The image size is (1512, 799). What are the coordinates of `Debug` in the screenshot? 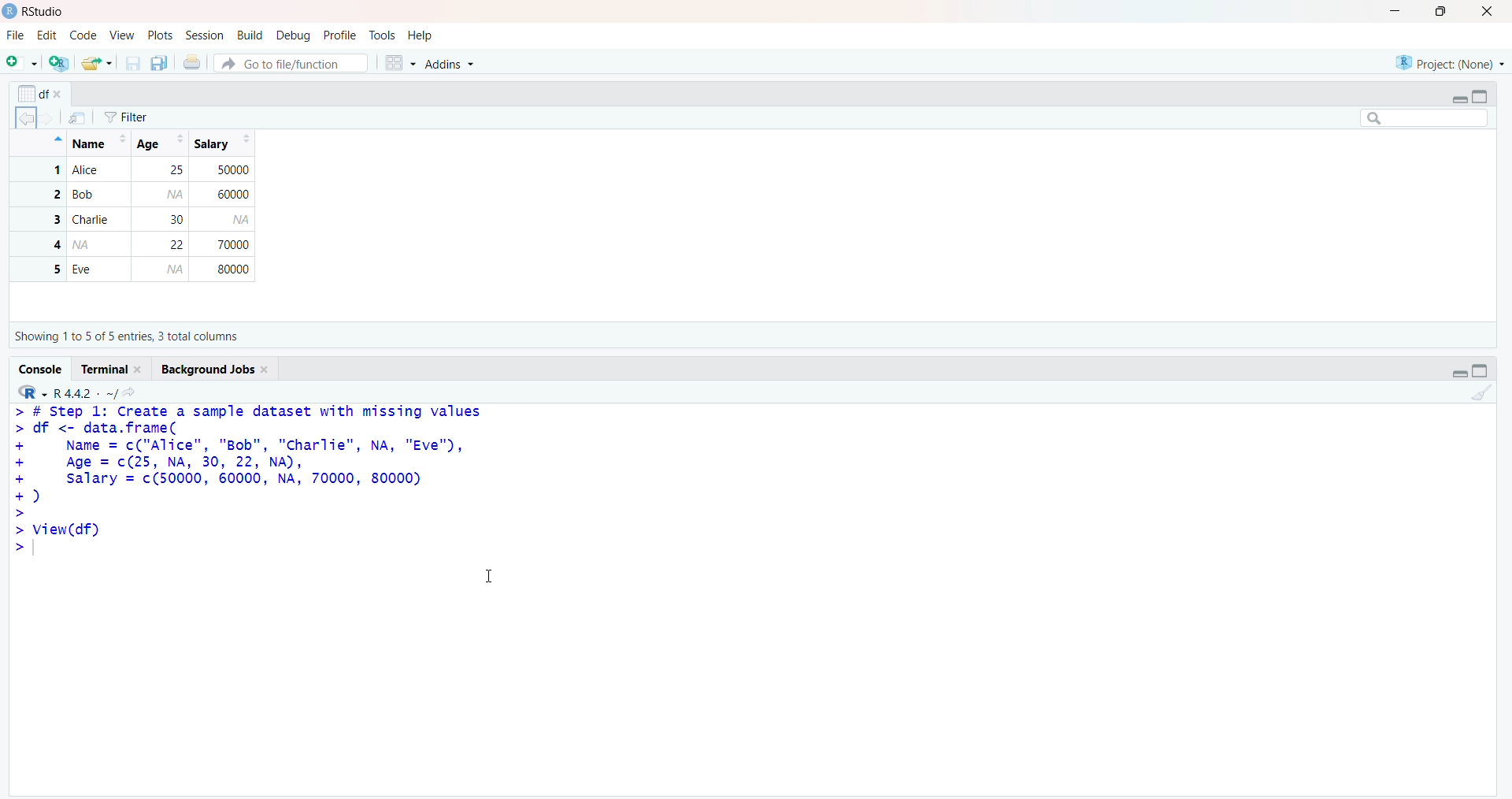 It's located at (295, 34).